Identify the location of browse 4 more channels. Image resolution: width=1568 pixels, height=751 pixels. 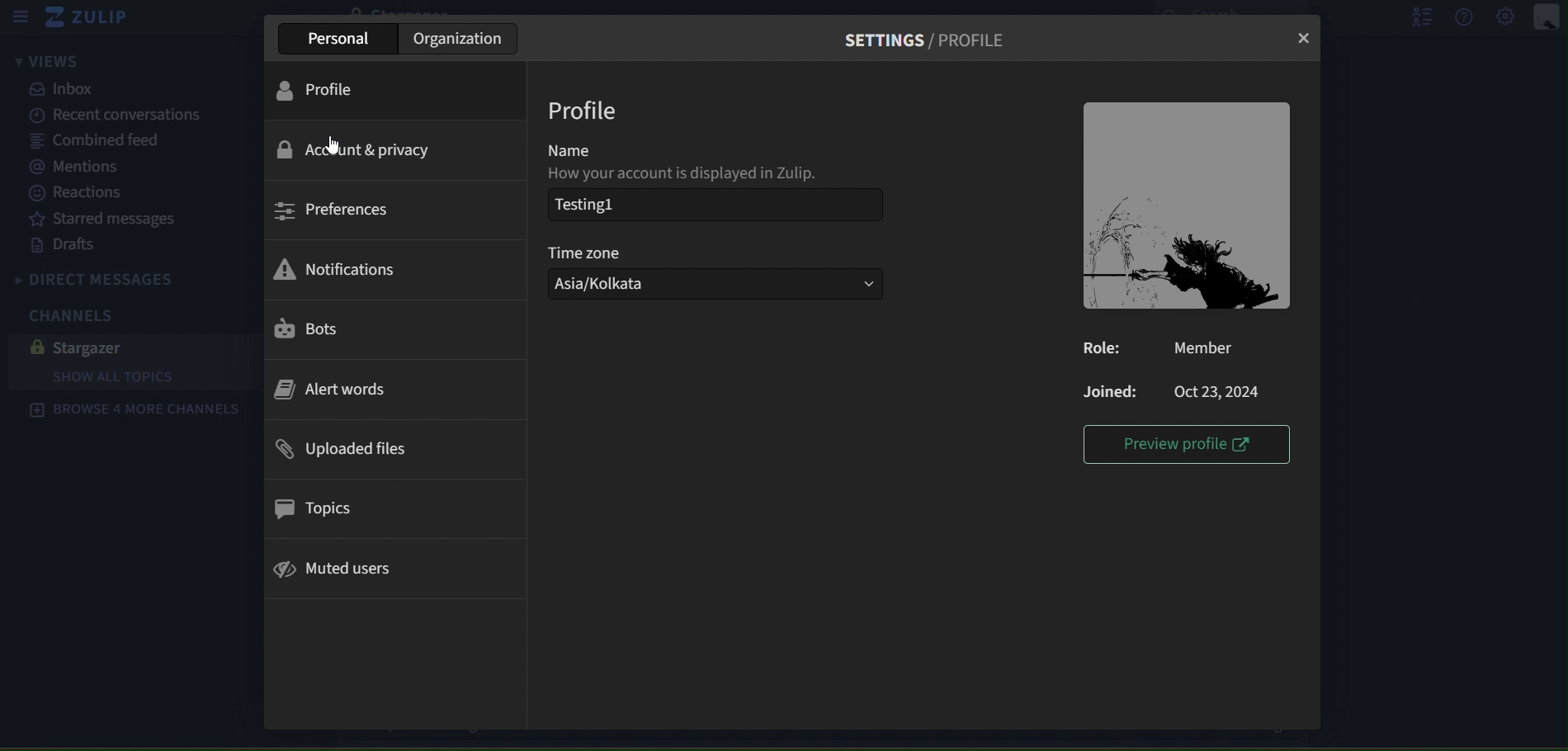
(134, 410).